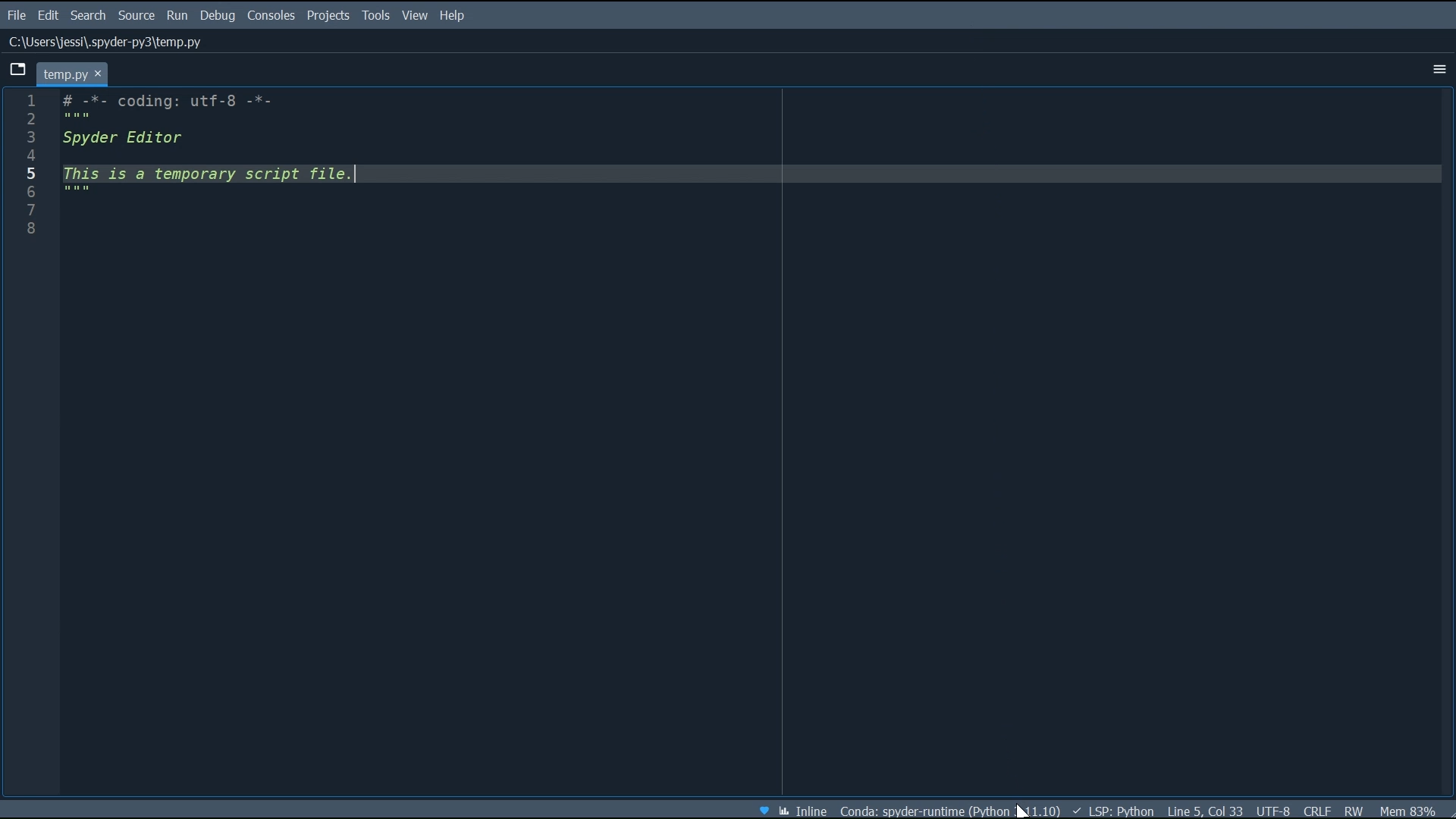 The height and width of the screenshot is (819, 1456). What do you see at coordinates (1111, 810) in the screenshot?
I see `LSP: PYTHON` at bounding box center [1111, 810].